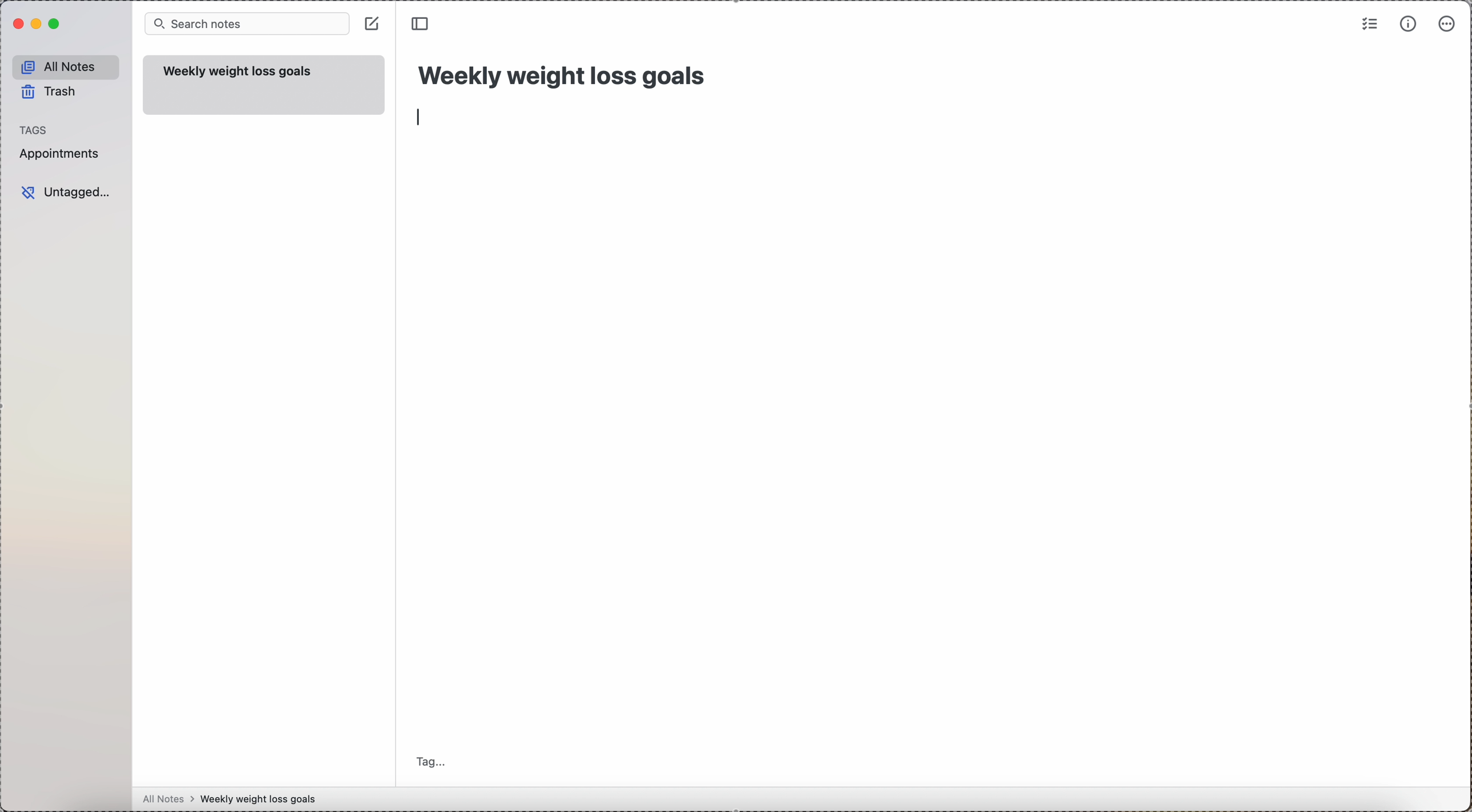 The image size is (1472, 812). I want to click on weekly weigth loss goals note, so click(266, 85).